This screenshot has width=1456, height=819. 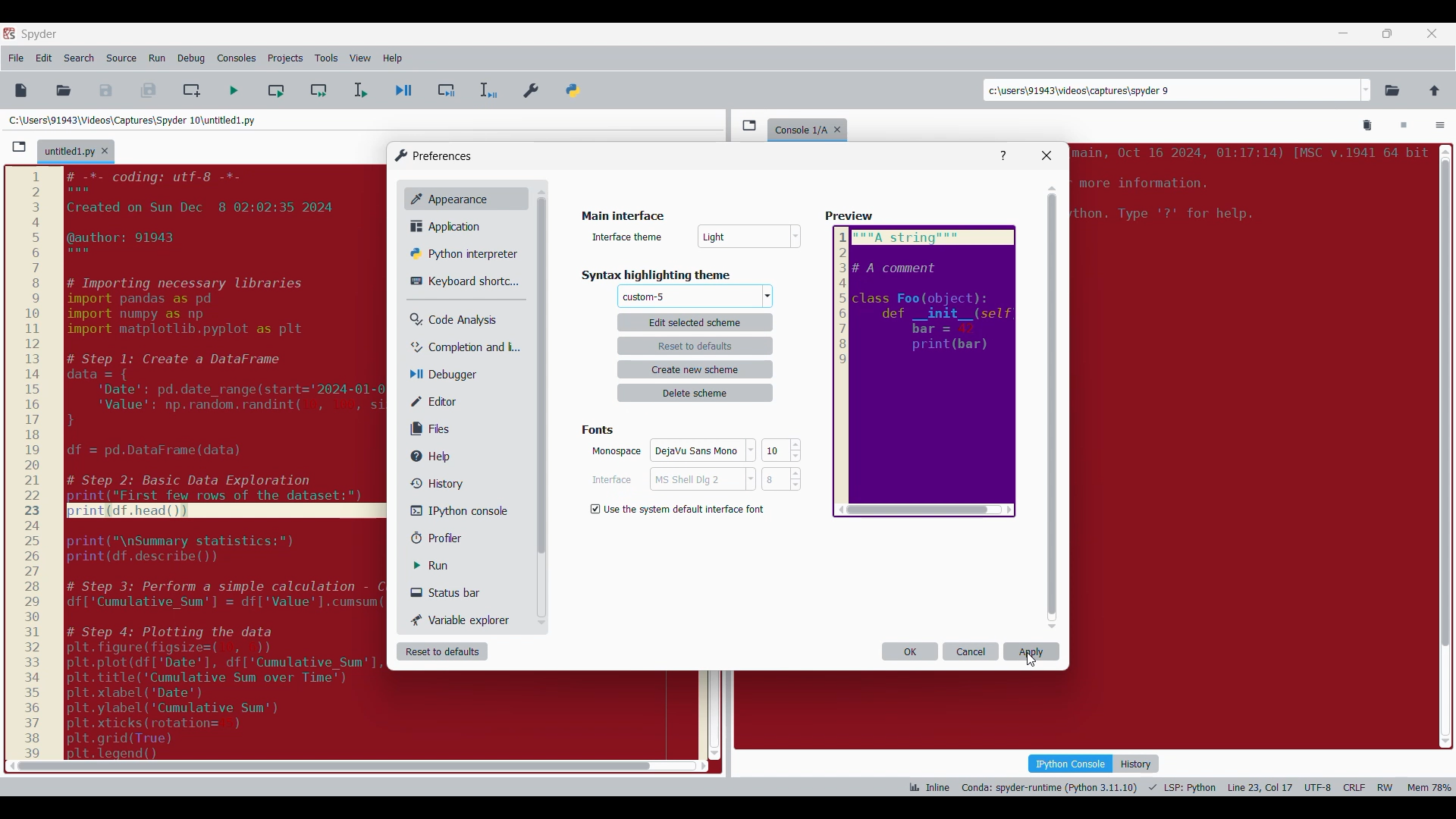 I want to click on Save file, so click(x=107, y=90).